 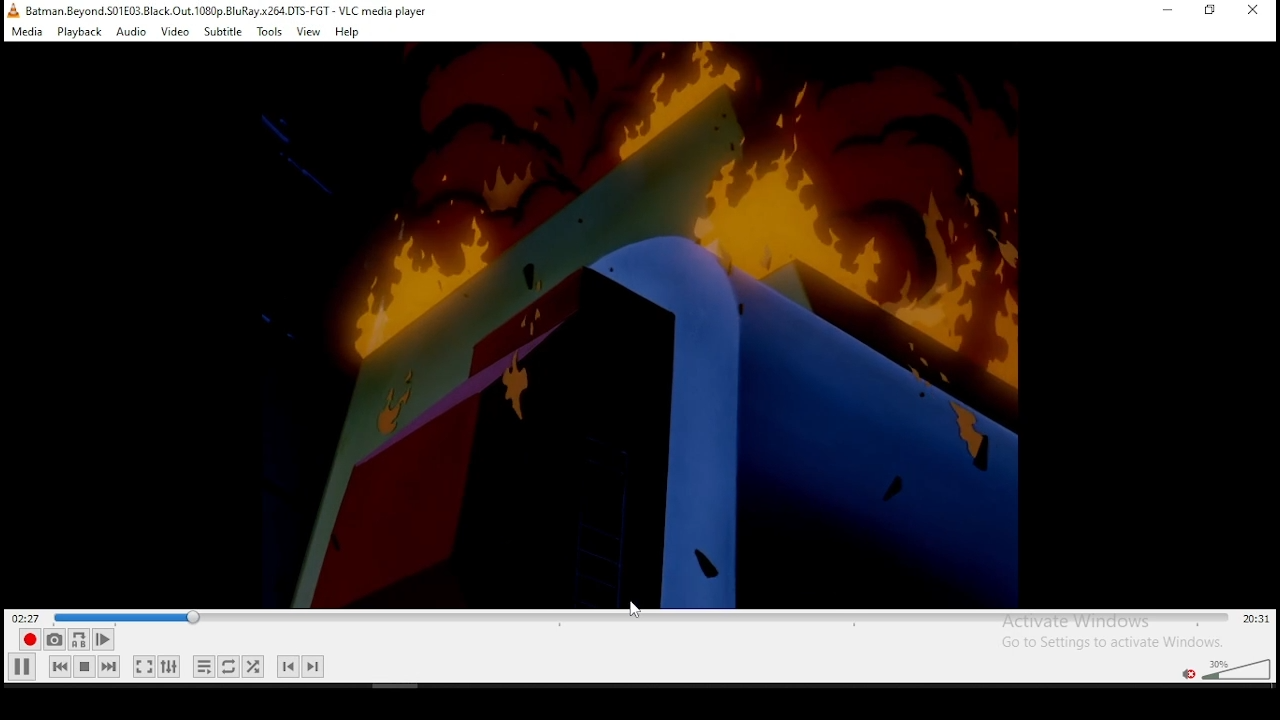 I want to click on audio, so click(x=131, y=31).